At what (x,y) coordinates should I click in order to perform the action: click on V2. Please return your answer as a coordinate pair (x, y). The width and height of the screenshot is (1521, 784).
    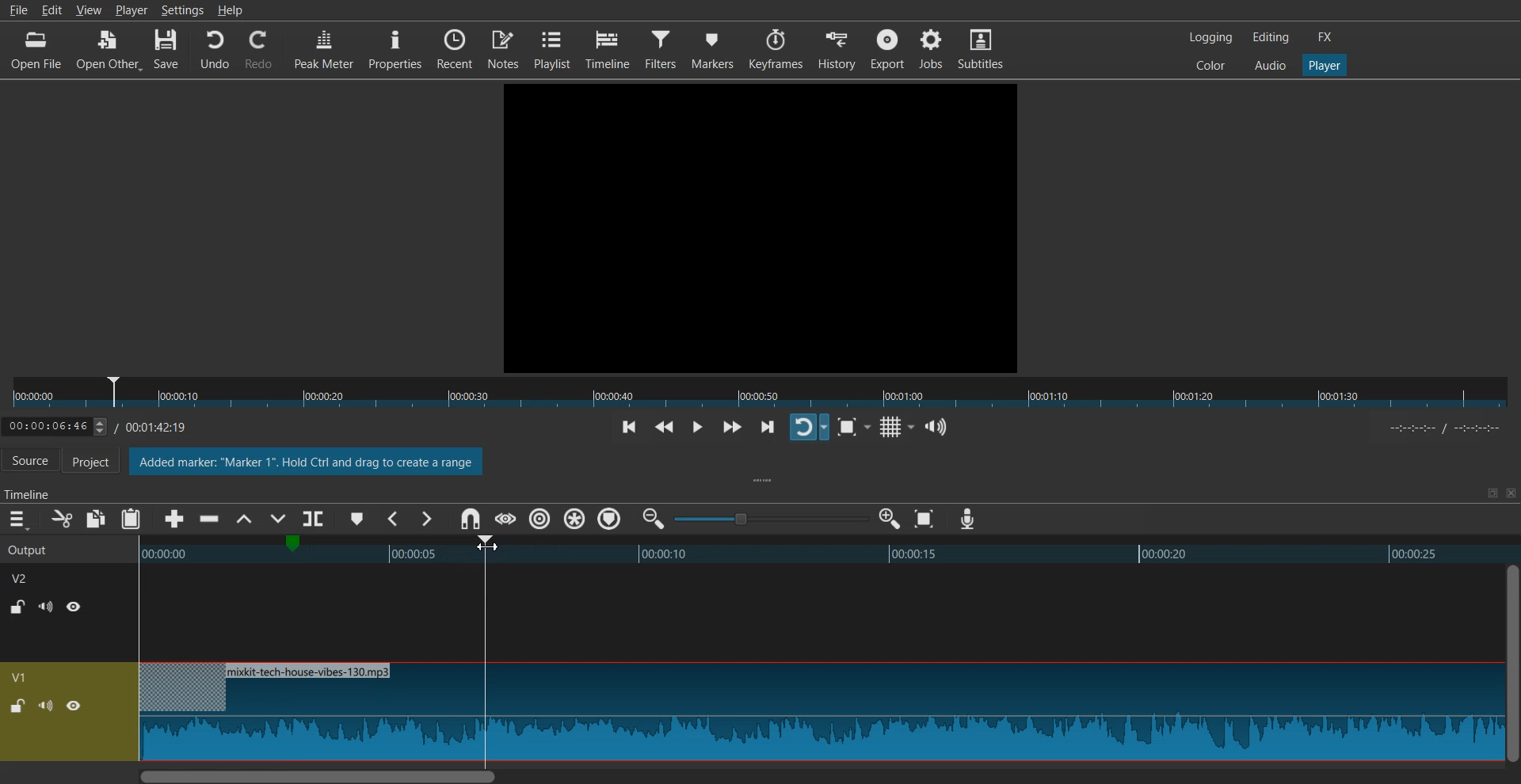
    Looking at the image, I should click on (28, 577).